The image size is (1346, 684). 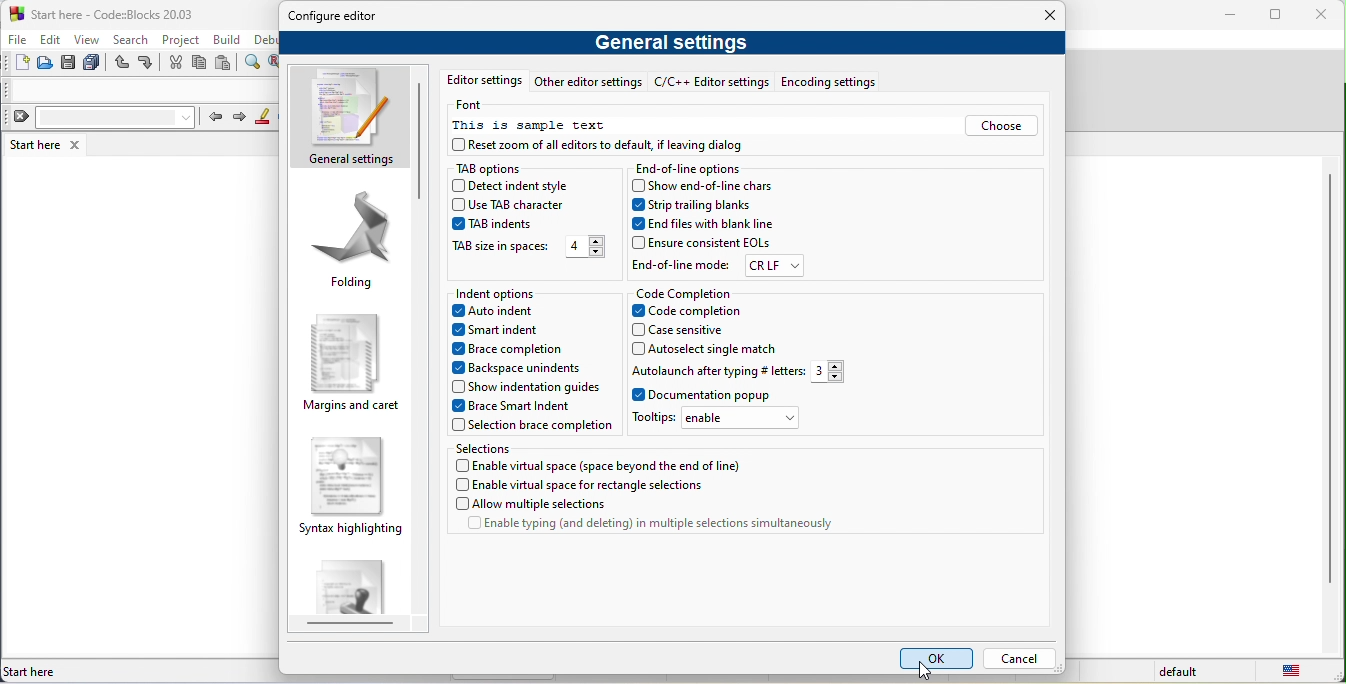 I want to click on case sesitive, so click(x=710, y=328).